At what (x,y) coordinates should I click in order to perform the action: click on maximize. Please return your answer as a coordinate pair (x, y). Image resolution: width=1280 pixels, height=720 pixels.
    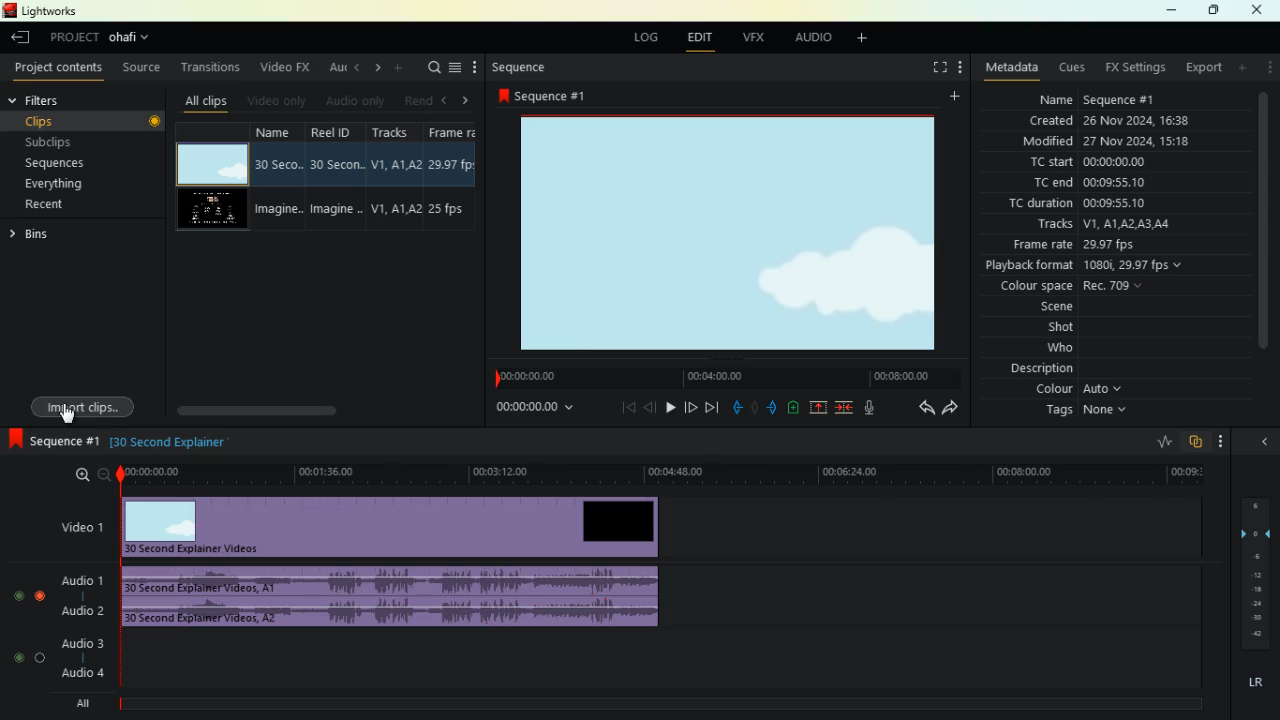
    Looking at the image, I should click on (1214, 10).